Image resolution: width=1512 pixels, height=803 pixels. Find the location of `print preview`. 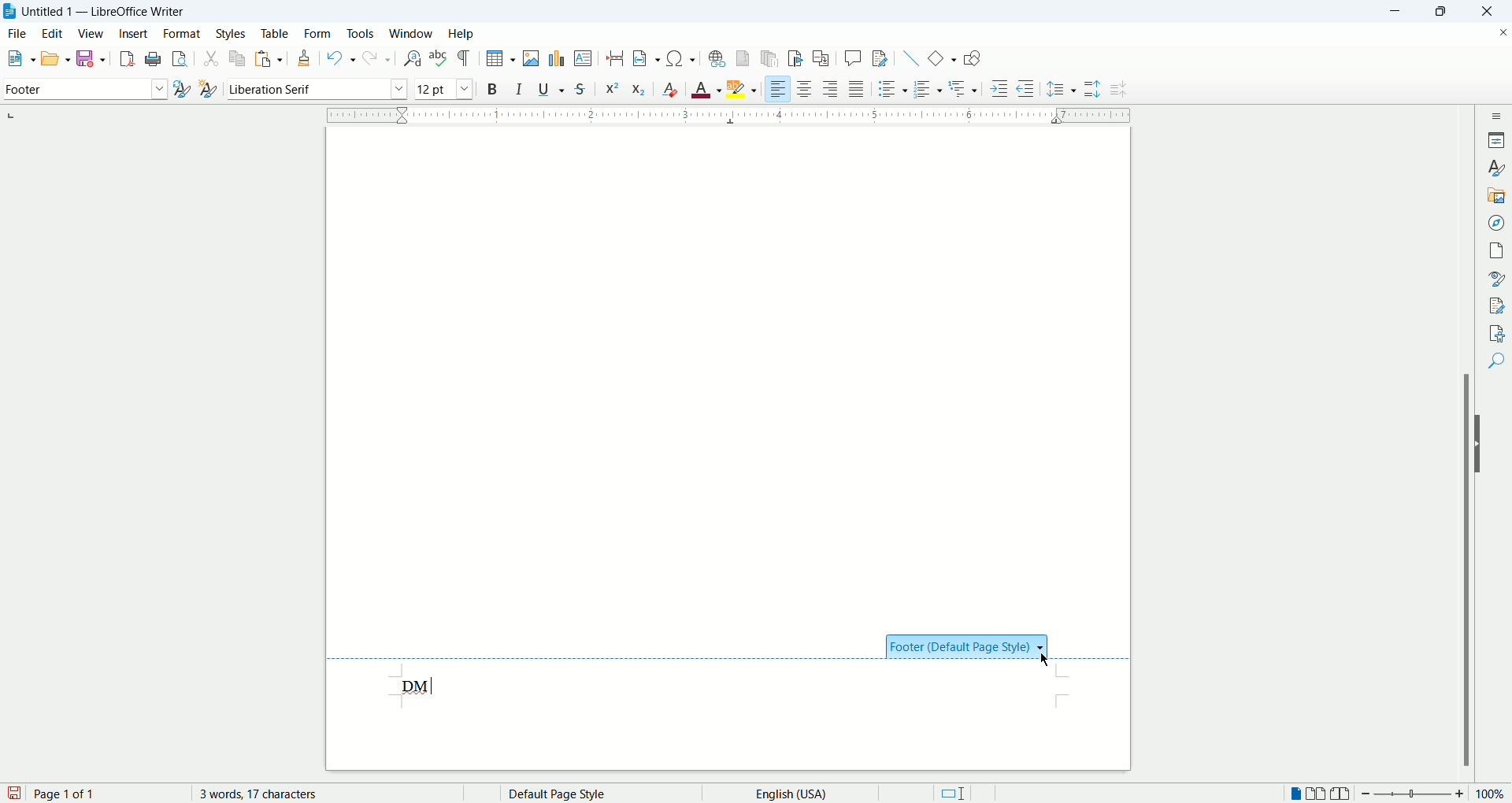

print preview is located at coordinates (180, 60).